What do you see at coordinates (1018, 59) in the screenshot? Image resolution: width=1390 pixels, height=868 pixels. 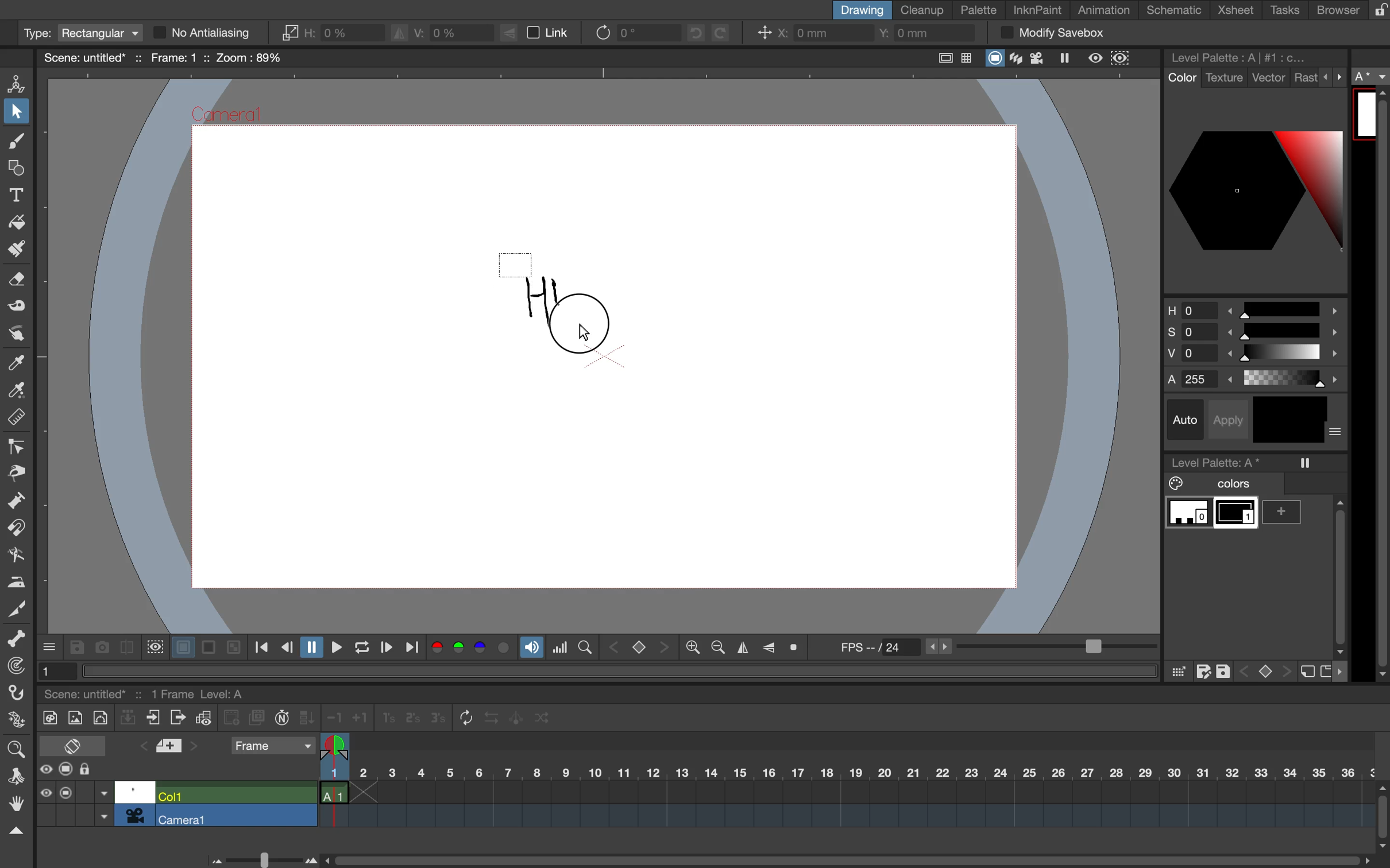 I see `3d view` at bounding box center [1018, 59].